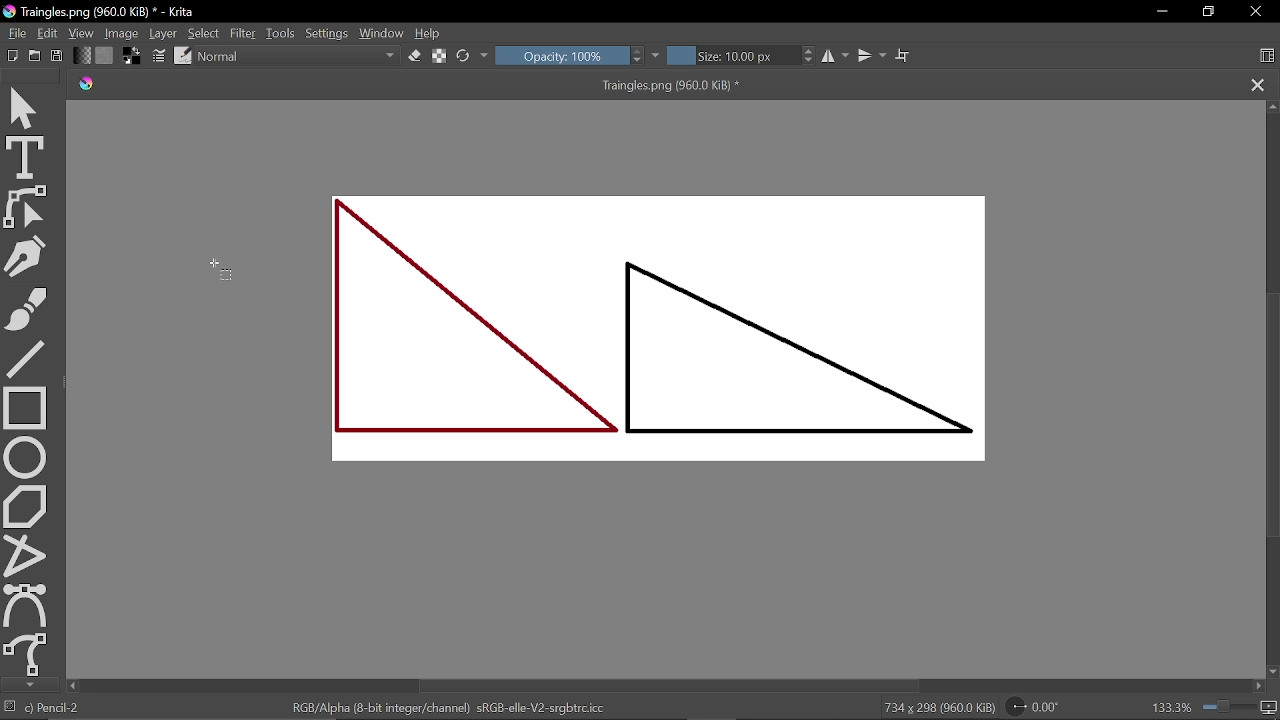 The height and width of the screenshot is (720, 1280). What do you see at coordinates (105, 56) in the screenshot?
I see `Fill gradient` at bounding box center [105, 56].